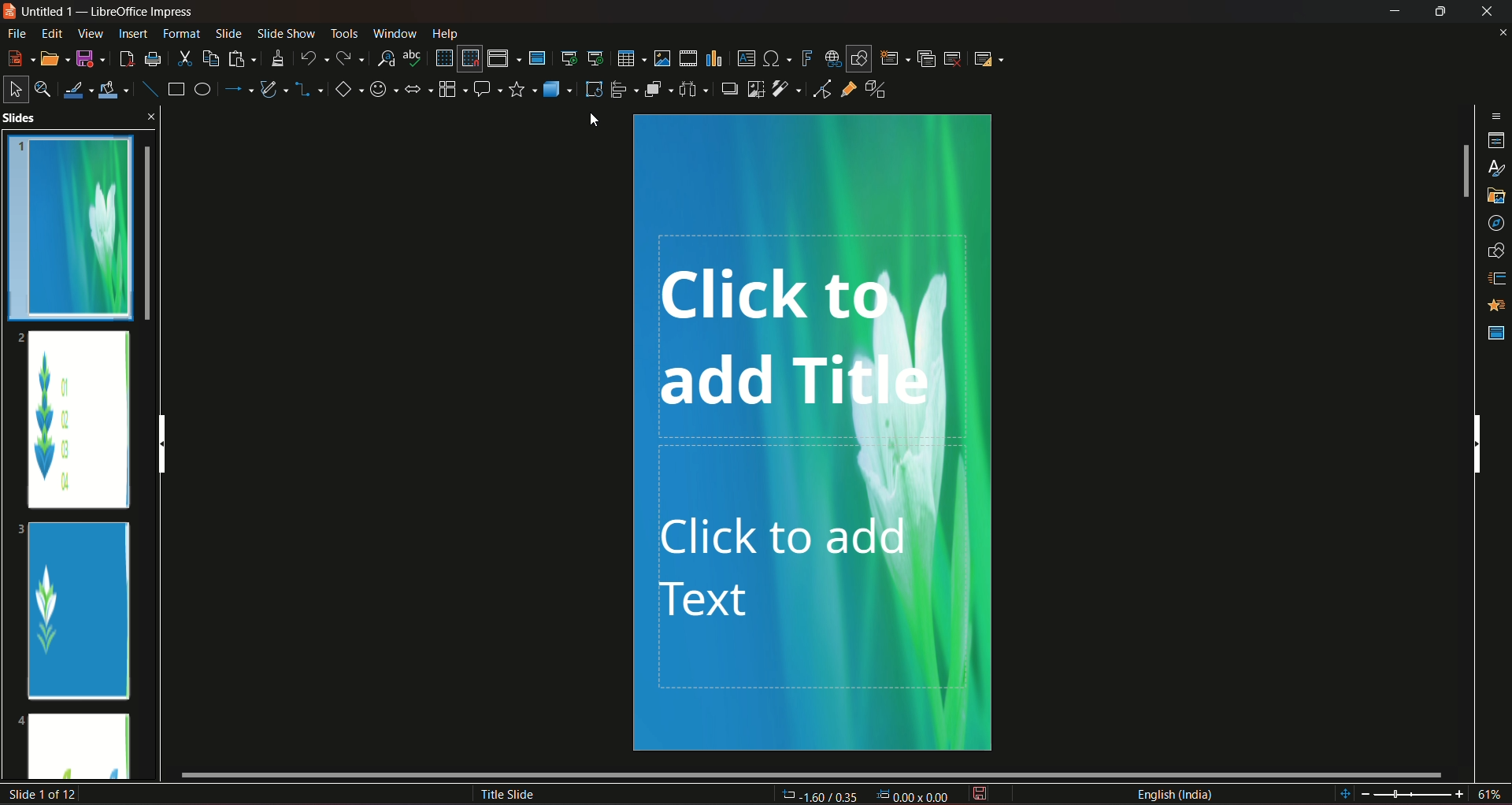 This screenshot has height=805, width=1512. What do you see at coordinates (102, 14) in the screenshot?
I see `logo and title` at bounding box center [102, 14].